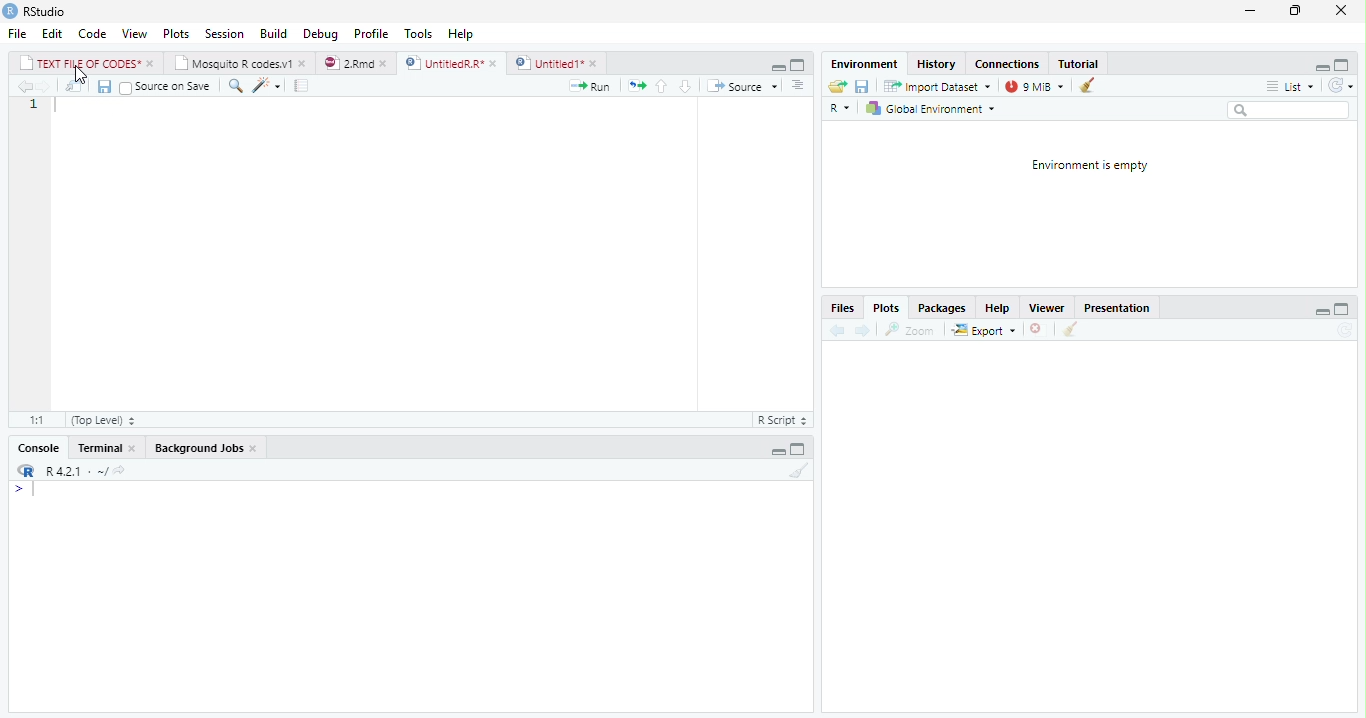 The height and width of the screenshot is (718, 1366). What do you see at coordinates (1048, 308) in the screenshot?
I see `Viewer` at bounding box center [1048, 308].